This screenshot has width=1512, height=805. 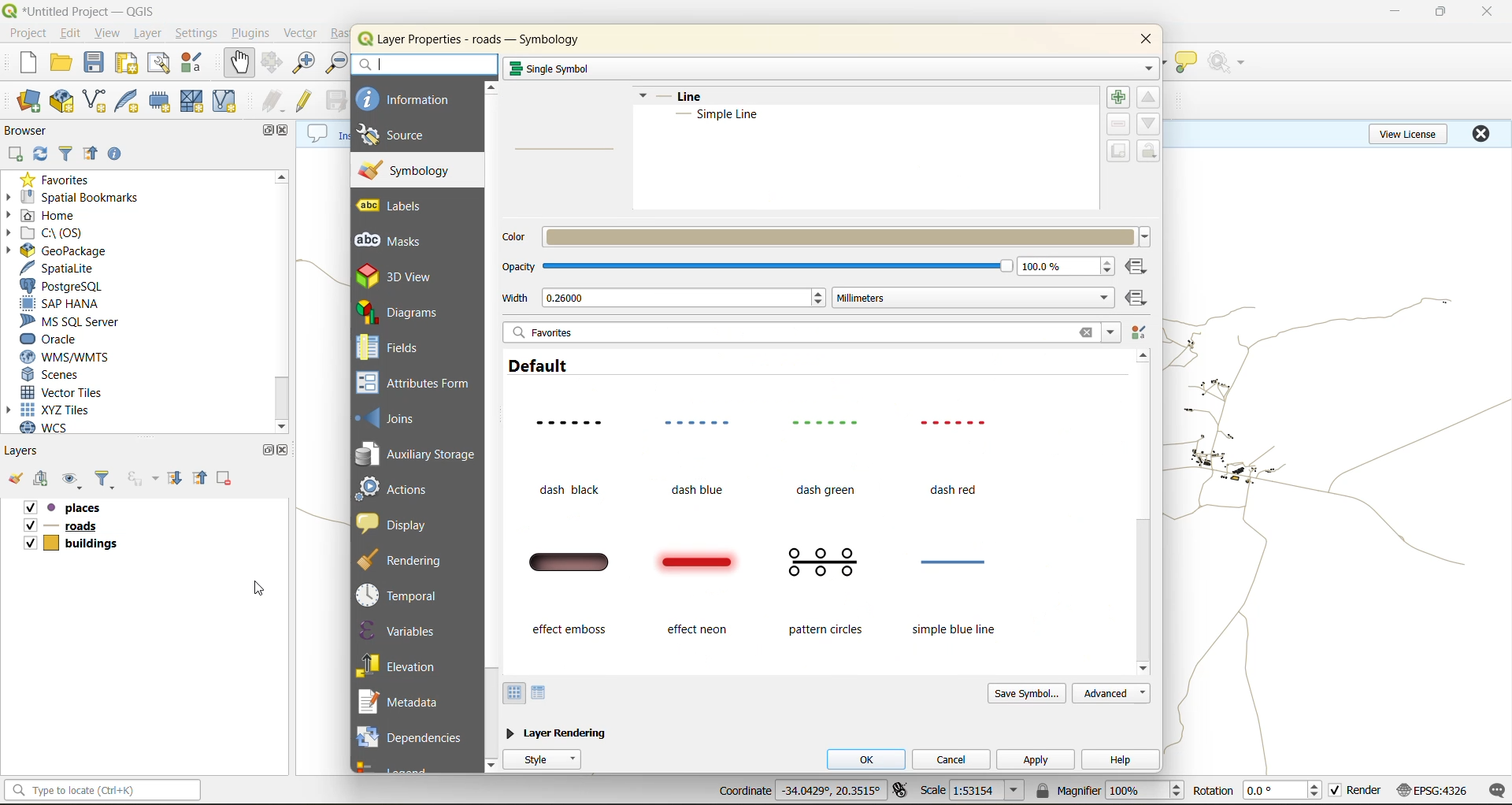 What do you see at coordinates (1121, 97) in the screenshot?
I see `add symbol layer` at bounding box center [1121, 97].